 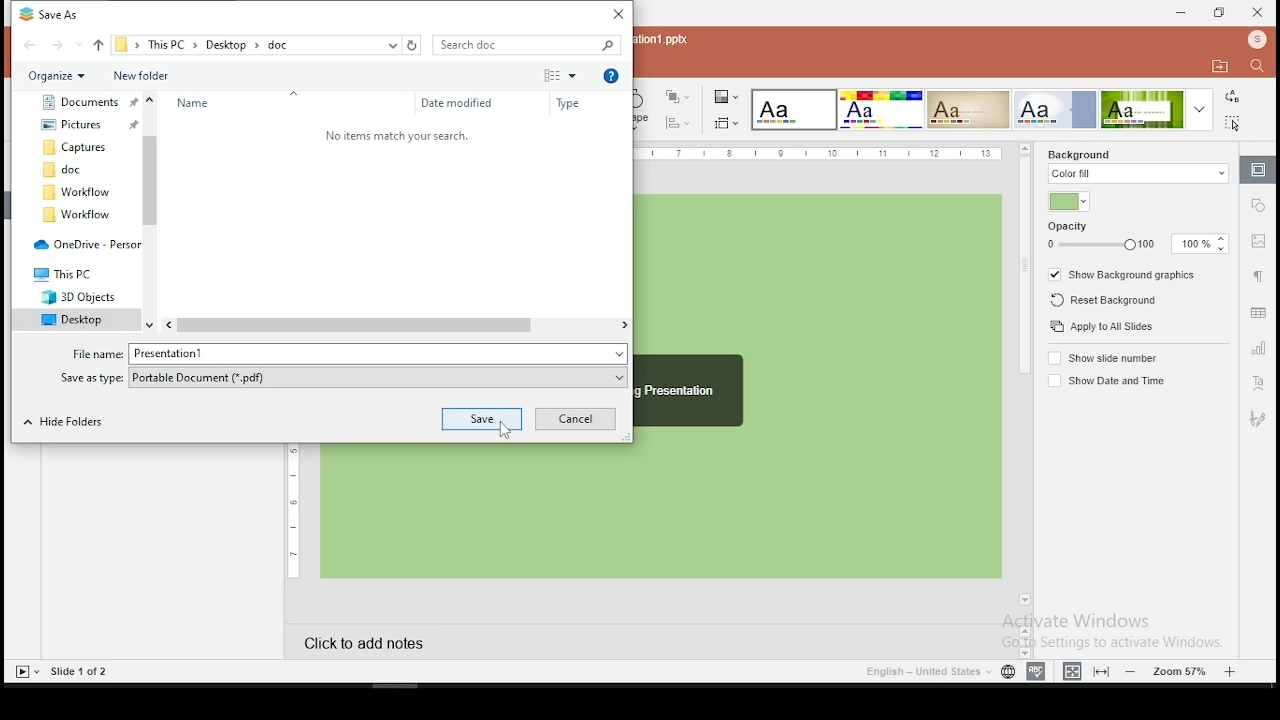 What do you see at coordinates (1259, 170) in the screenshot?
I see `slide settings` at bounding box center [1259, 170].